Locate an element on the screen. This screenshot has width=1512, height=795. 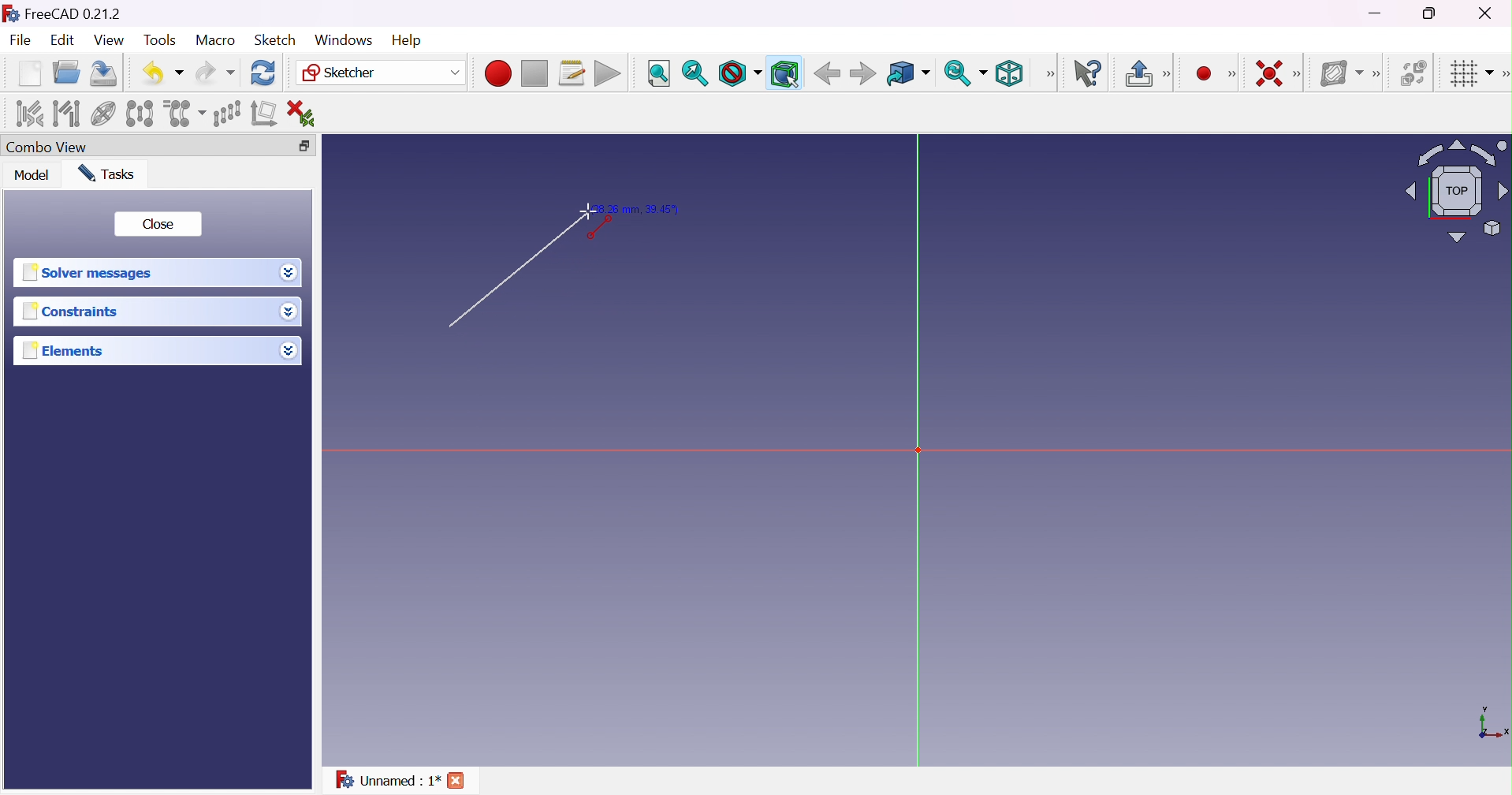
Remove axes alignment is located at coordinates (264, 115).